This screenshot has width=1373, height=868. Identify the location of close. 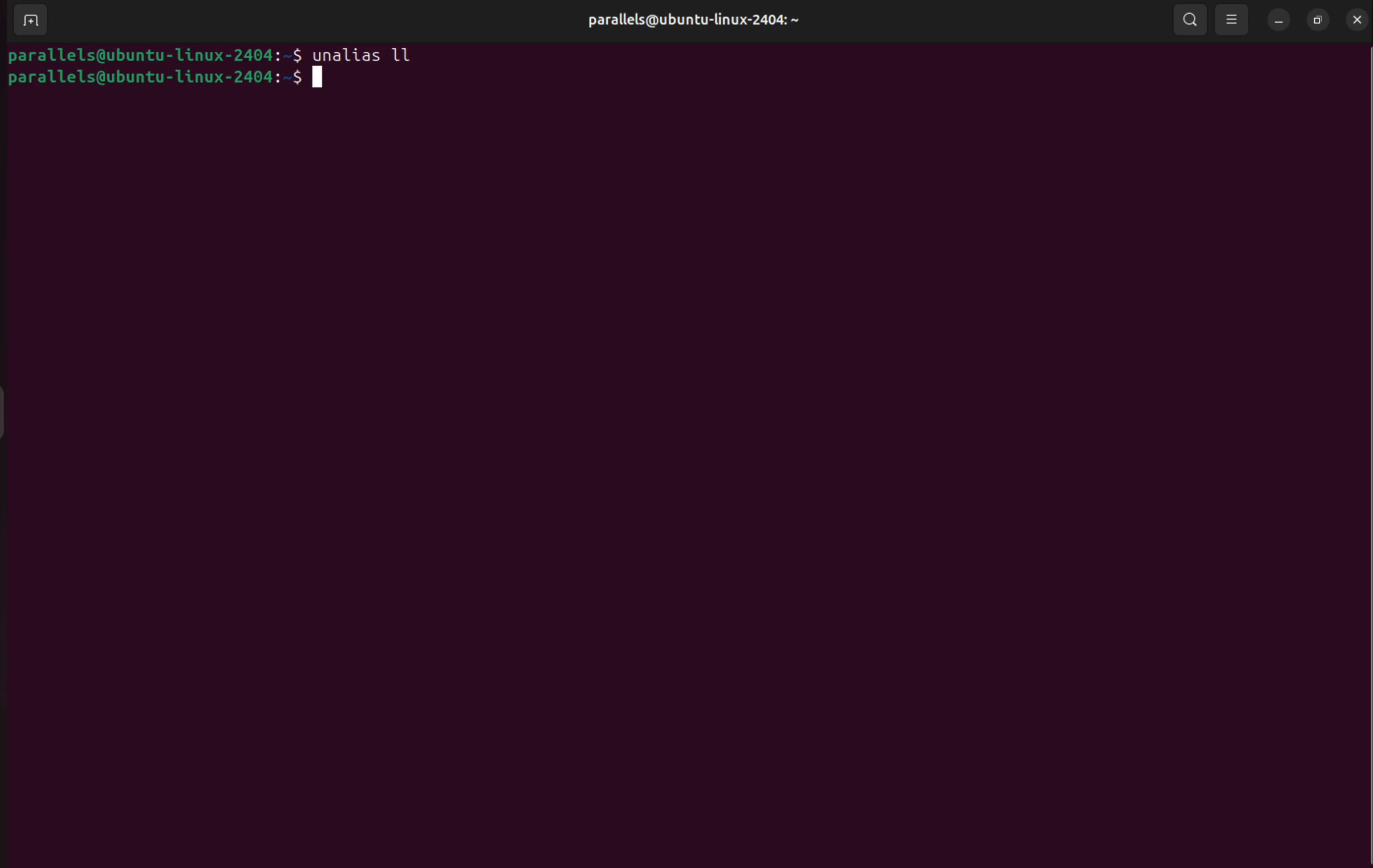
(1354, 18).